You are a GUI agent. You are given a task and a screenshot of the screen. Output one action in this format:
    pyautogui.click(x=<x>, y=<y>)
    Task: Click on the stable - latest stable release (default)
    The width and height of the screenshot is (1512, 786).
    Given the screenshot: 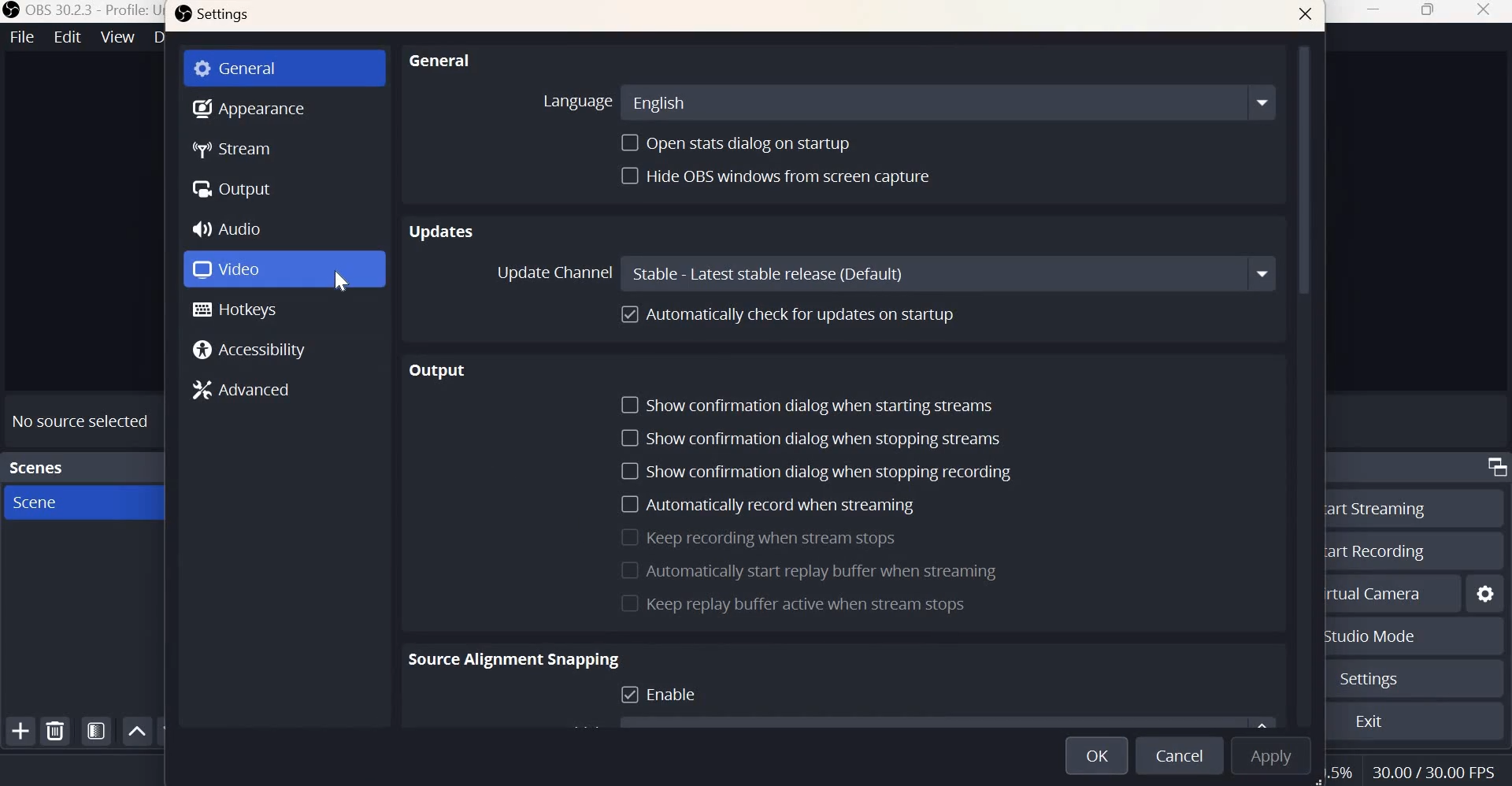 What is the action you would take?
    pyautogui.click(x=951, y=273)
    